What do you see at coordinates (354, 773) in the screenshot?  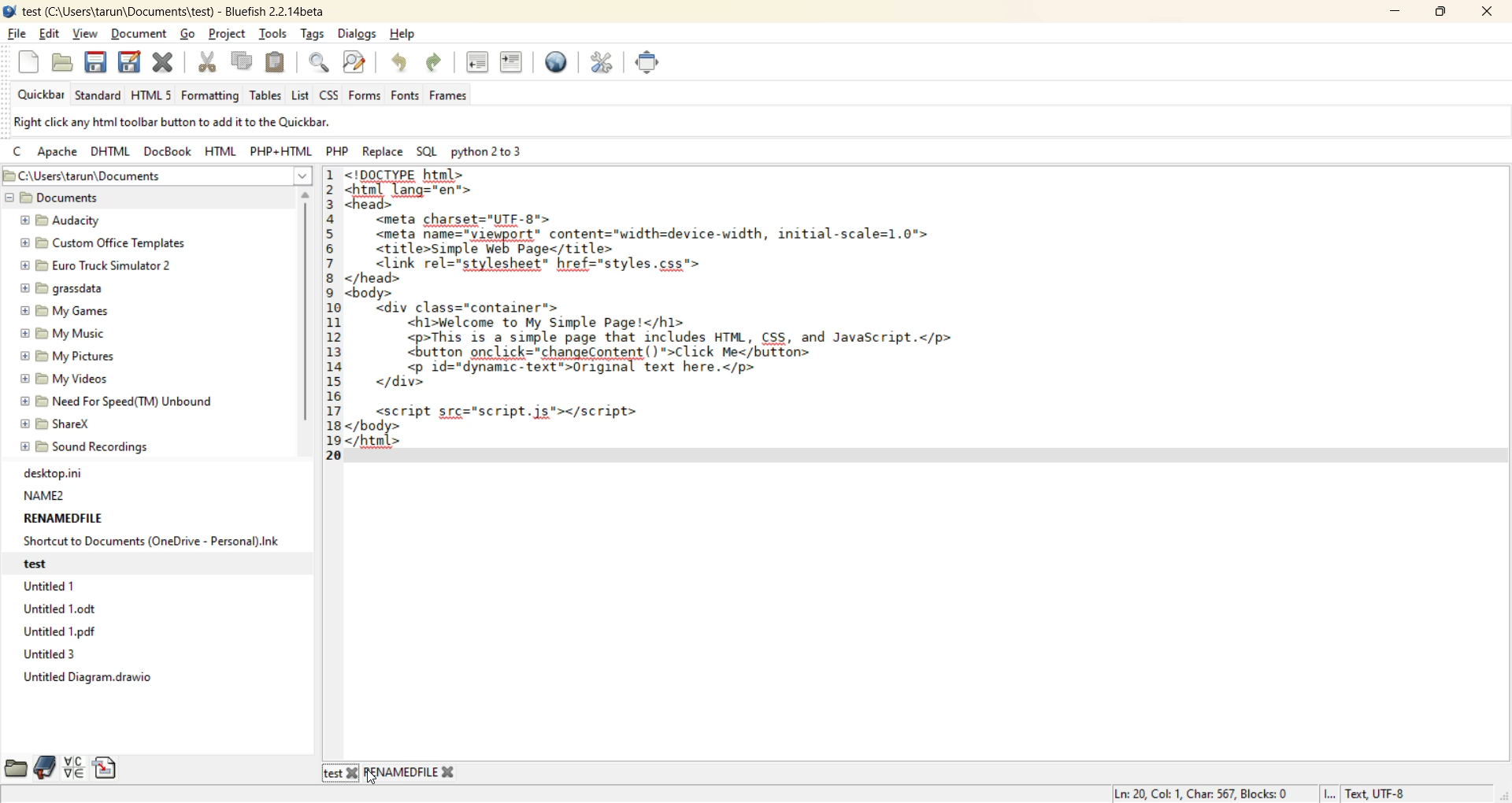 I see `` at bounding box center [354, 773].